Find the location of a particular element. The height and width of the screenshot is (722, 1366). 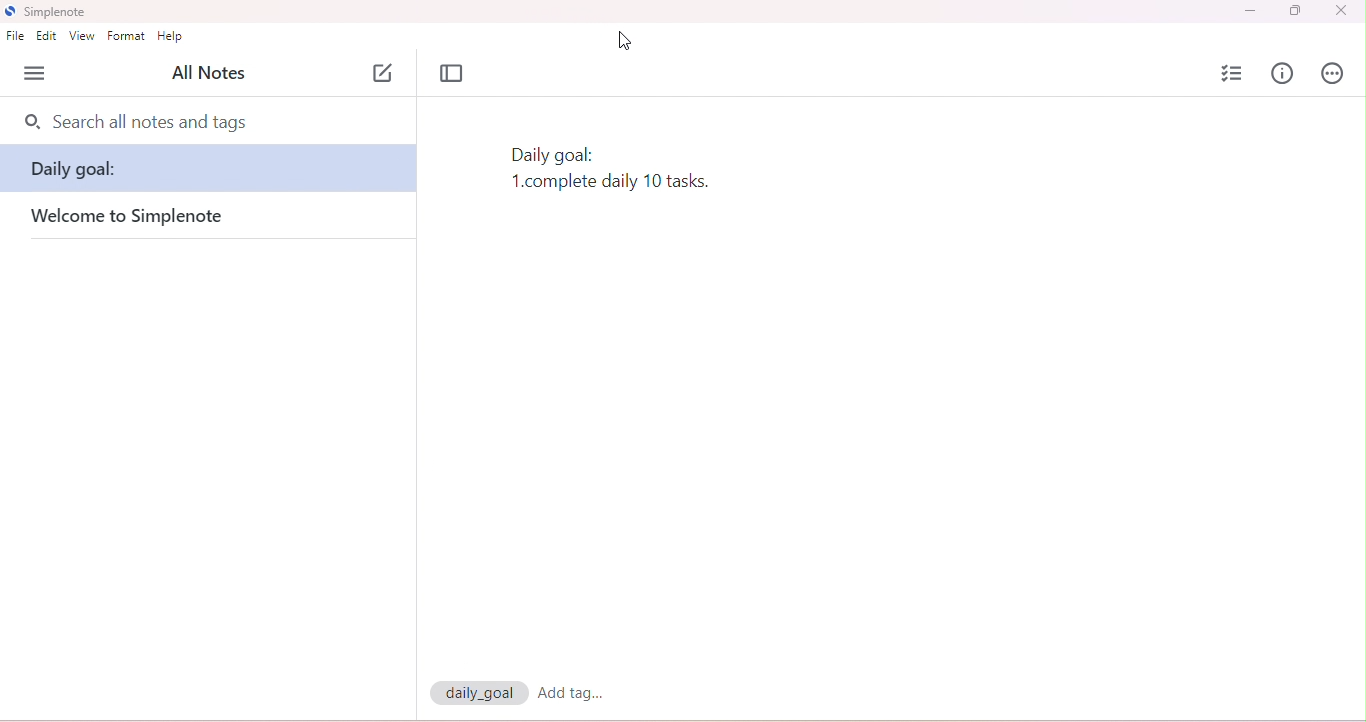

new note is located at coordinates (384, 73).